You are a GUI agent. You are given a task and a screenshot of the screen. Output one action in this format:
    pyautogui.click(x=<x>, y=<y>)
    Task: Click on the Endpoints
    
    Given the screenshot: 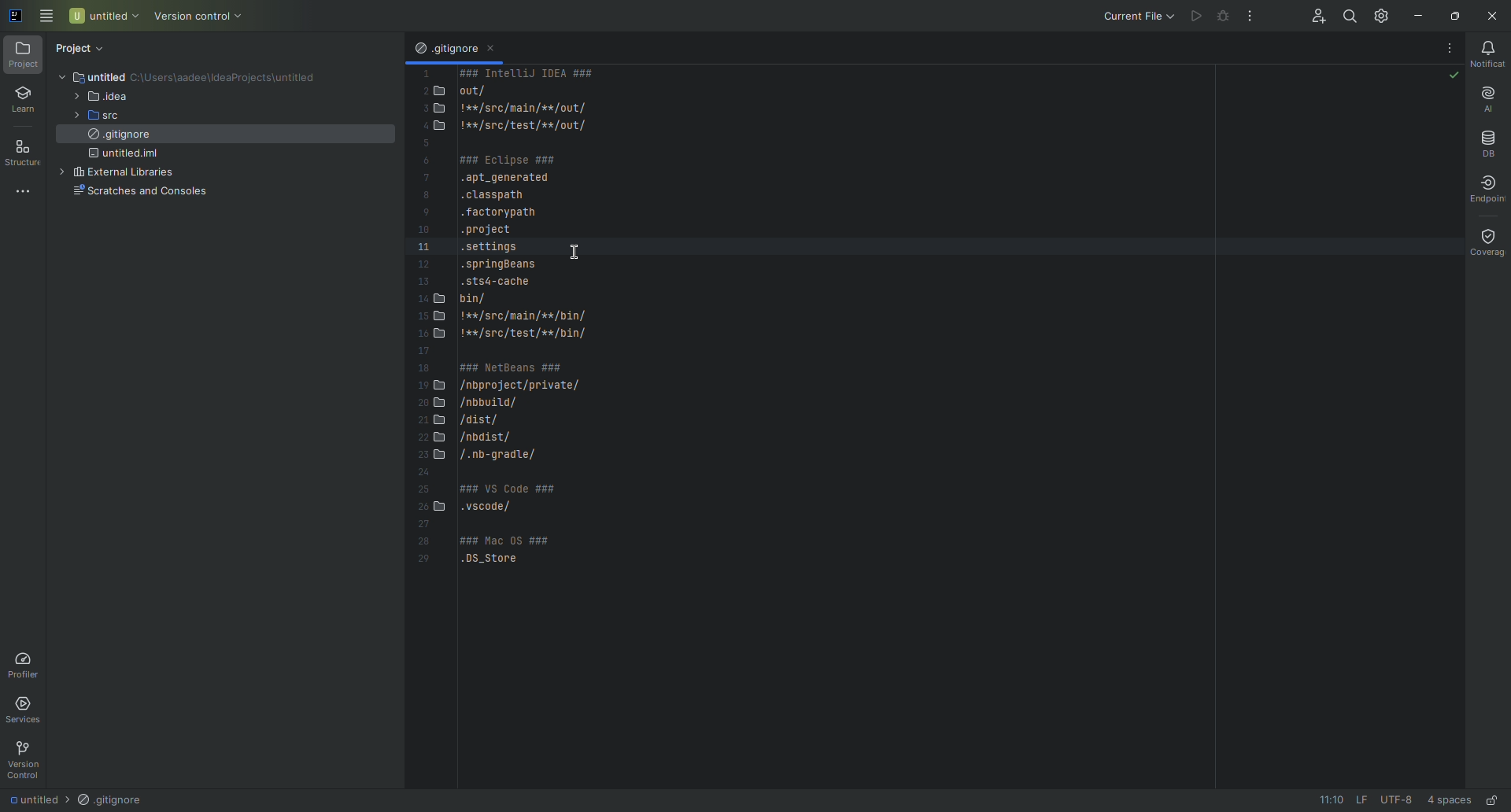 What is the action you would take?
    pyautogui.click(x=1491, y=190)
    